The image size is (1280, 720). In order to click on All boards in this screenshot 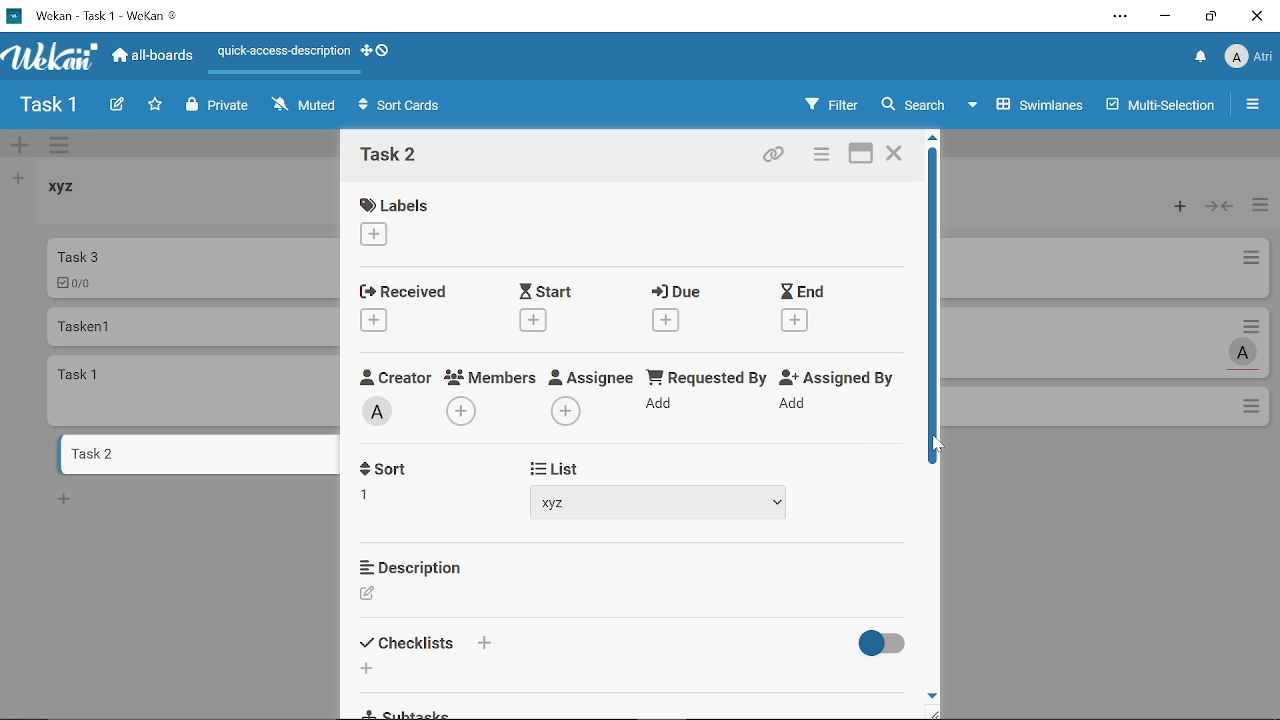, I will do `click(154, 55)`.